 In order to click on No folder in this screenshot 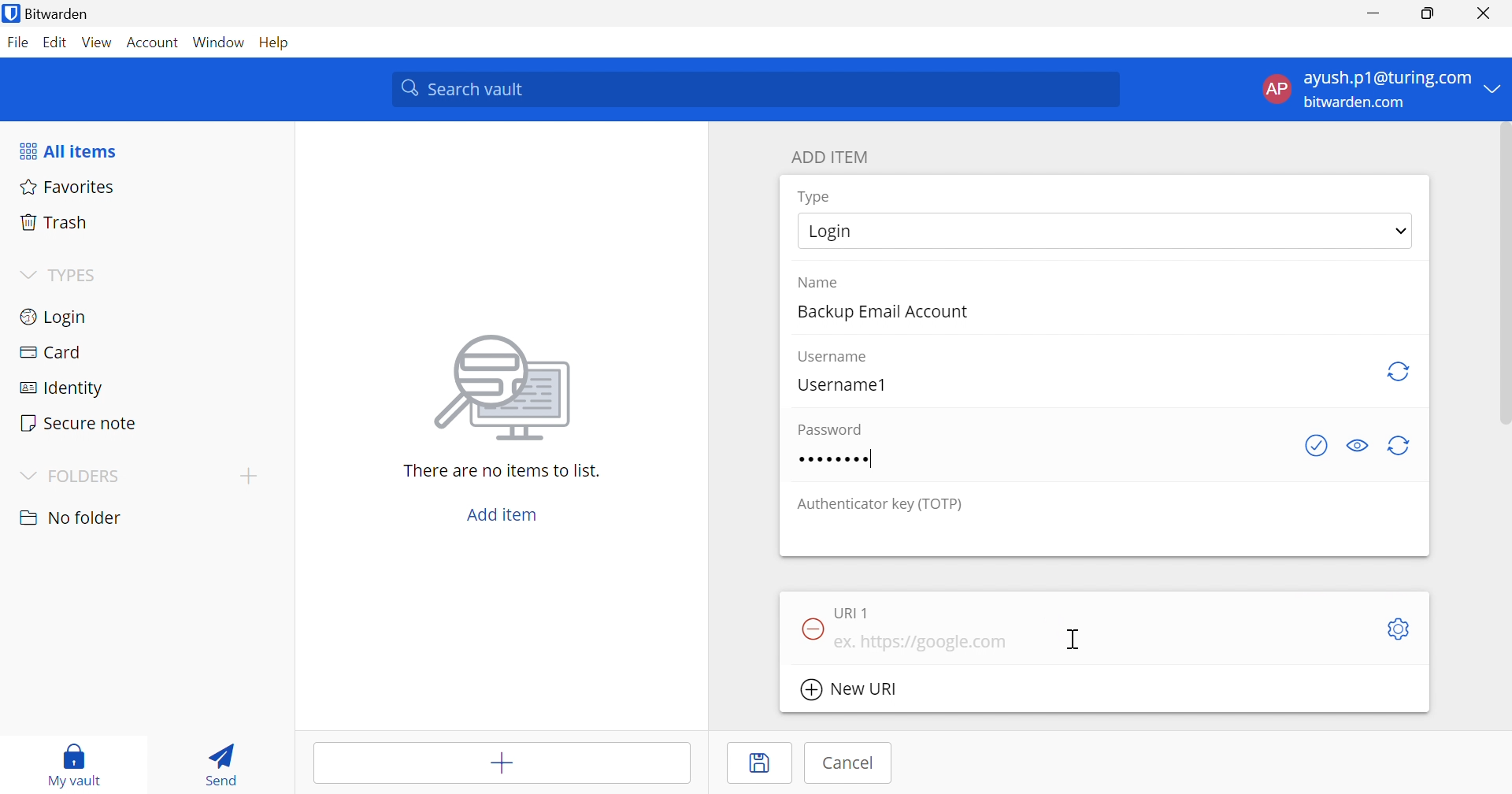, I will do `click(72, 519)`.